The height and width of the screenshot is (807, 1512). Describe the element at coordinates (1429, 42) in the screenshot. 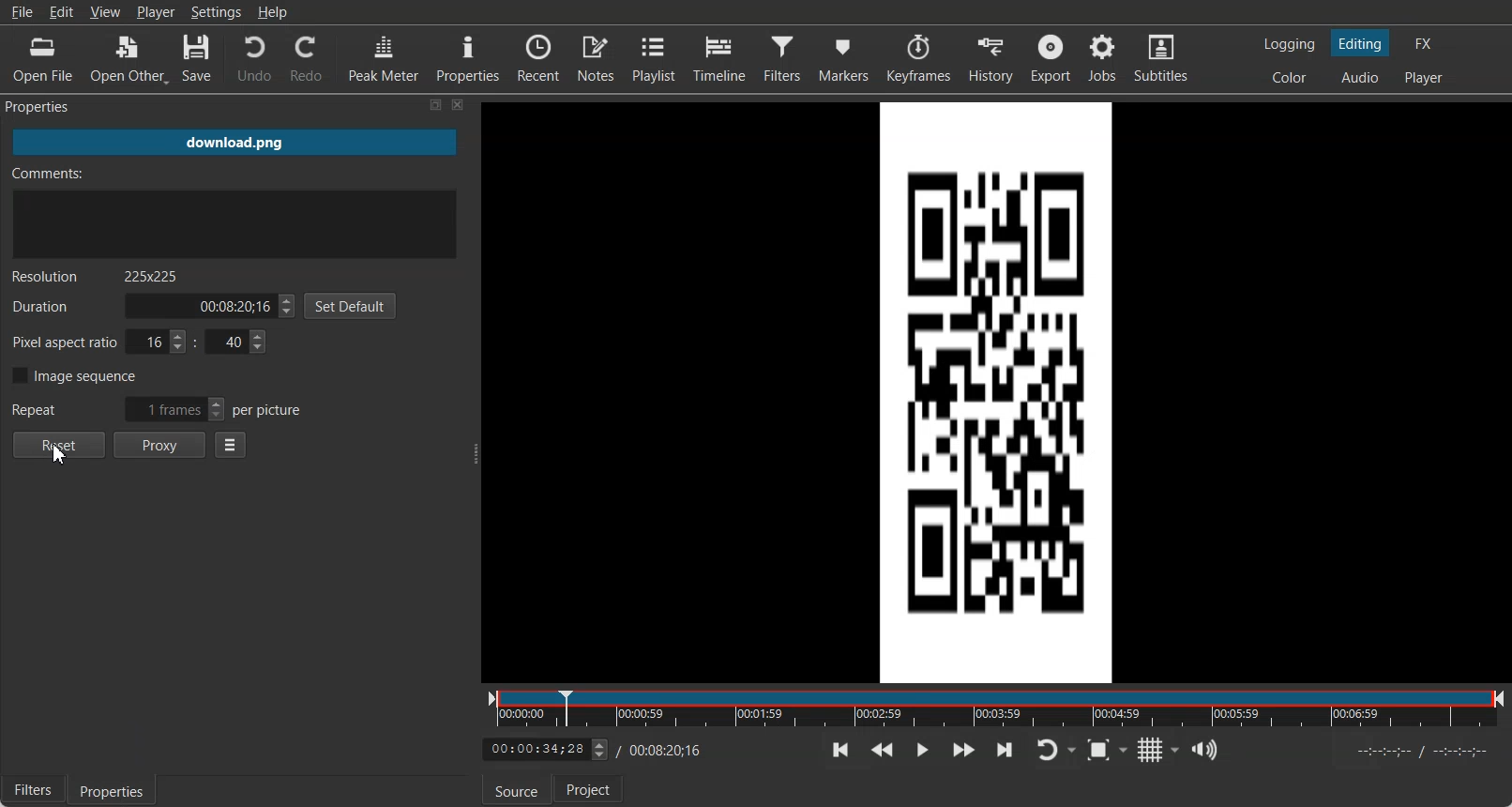

I see `Switch to effects layout` at that location.